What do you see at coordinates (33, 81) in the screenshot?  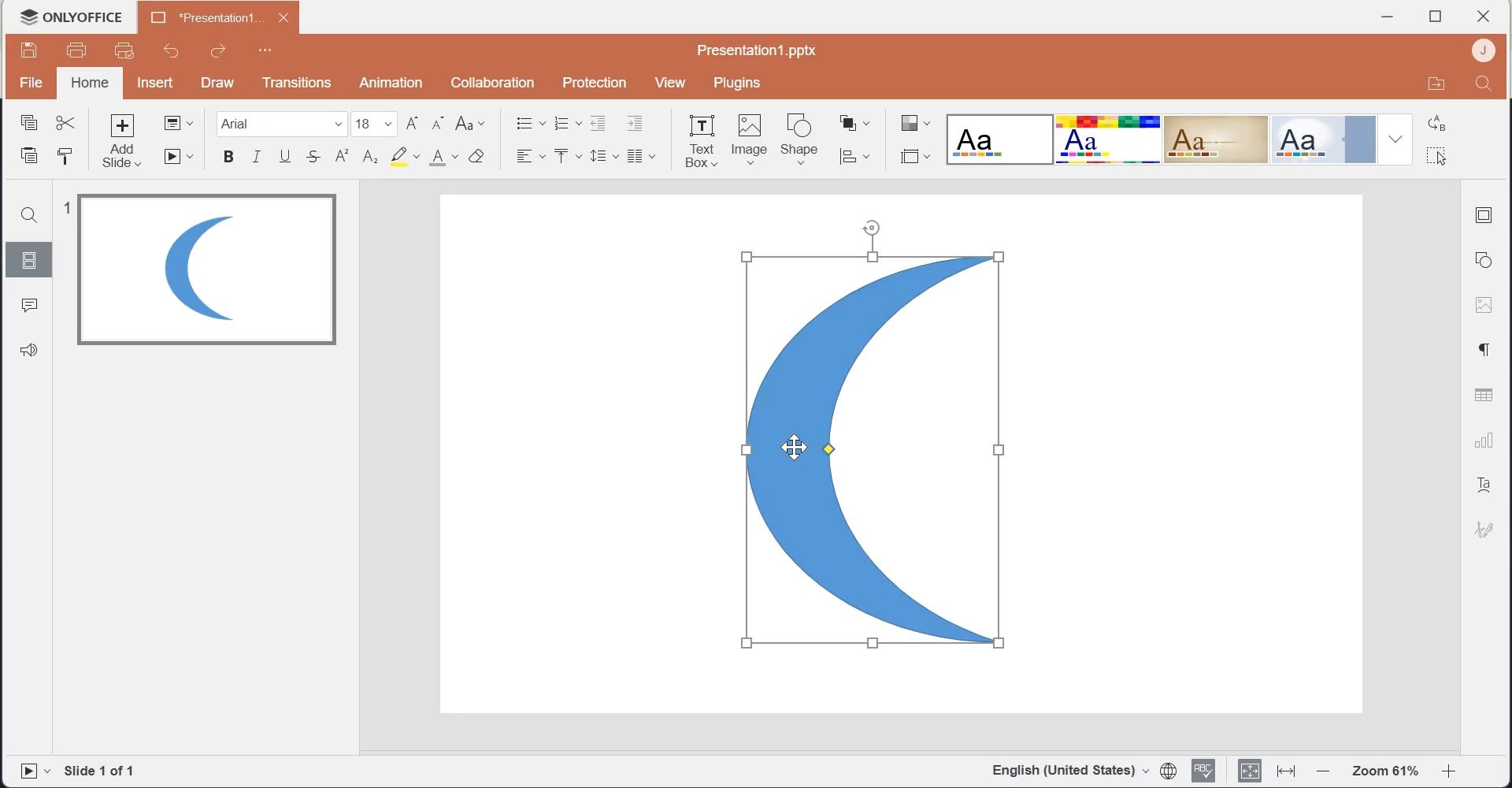 I see `File` at bounding box center [33, 81].